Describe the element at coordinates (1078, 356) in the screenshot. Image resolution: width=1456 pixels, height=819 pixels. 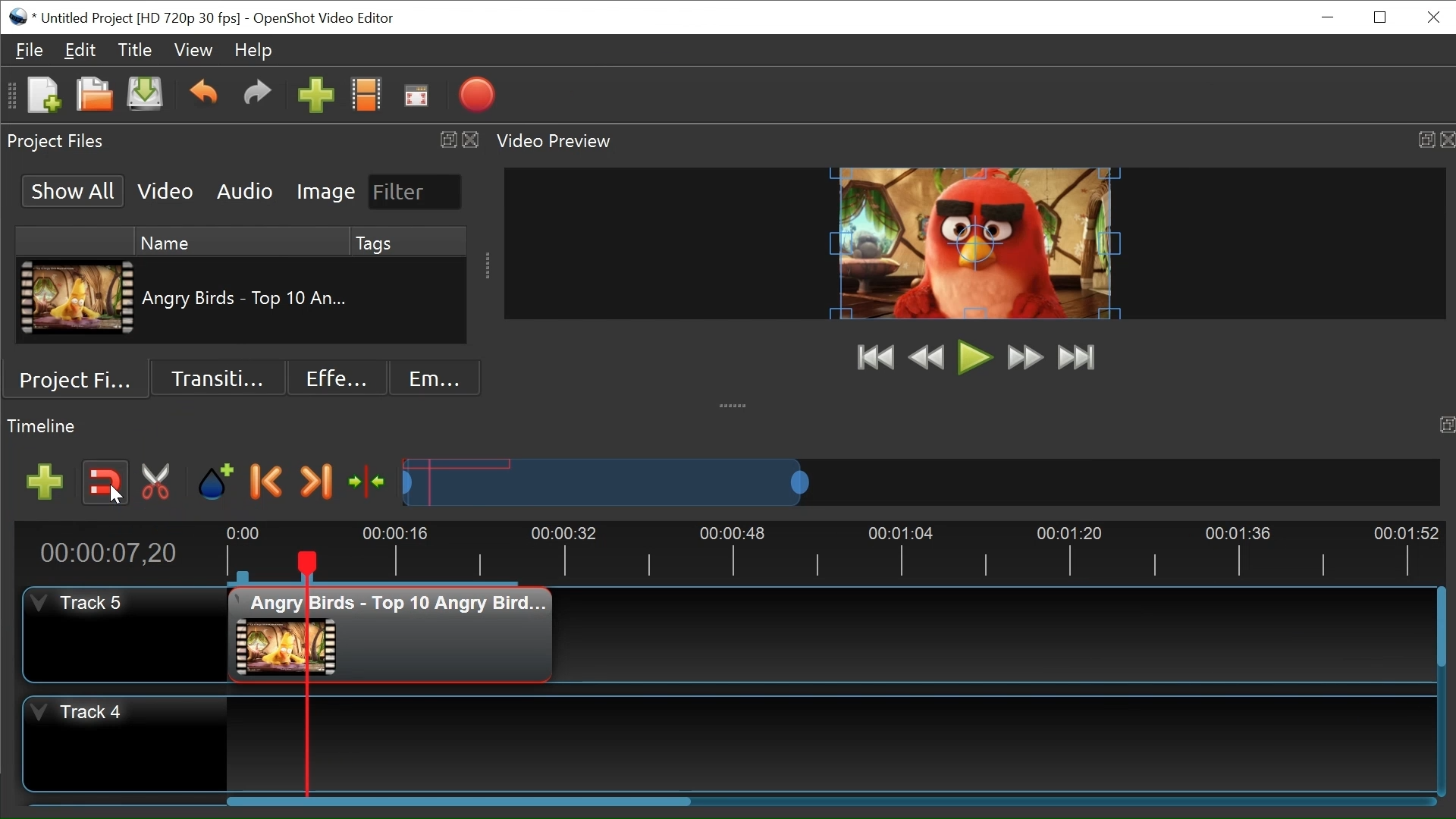
I see `Jump to End` at that location.